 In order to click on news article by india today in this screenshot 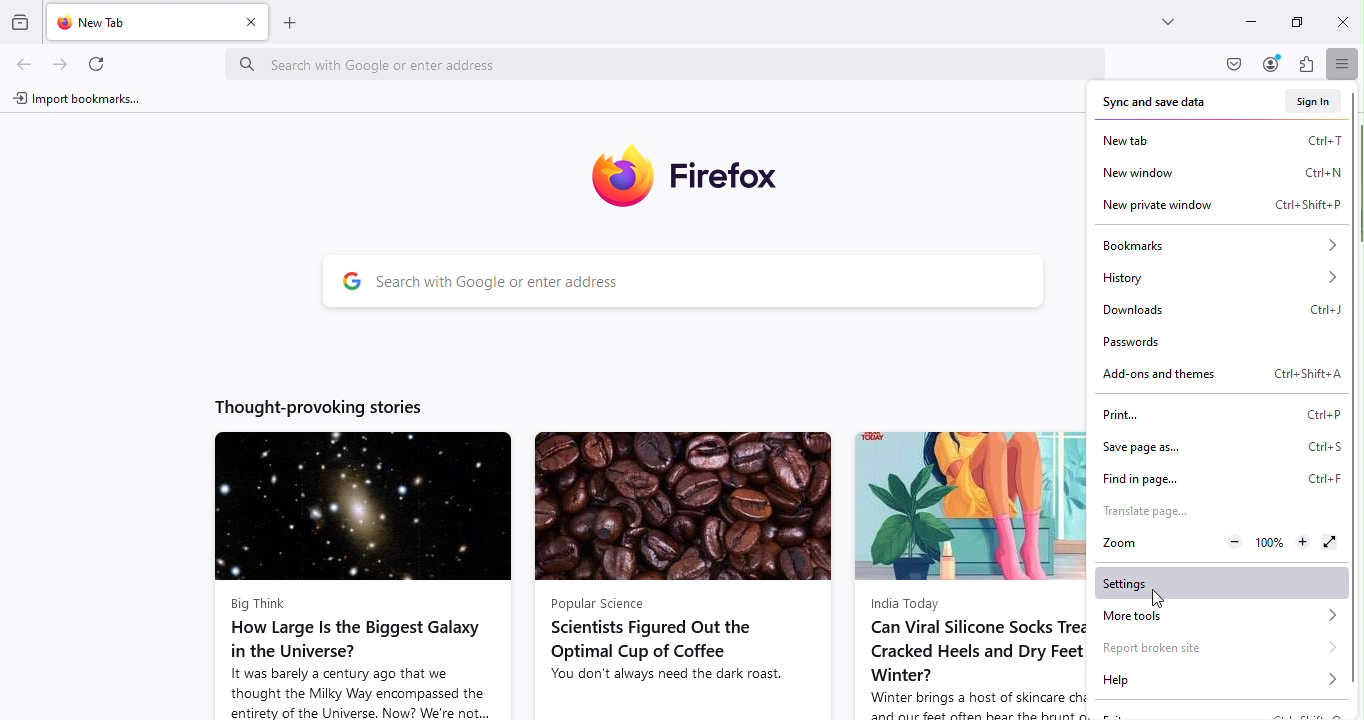, I will do `click(968, 574)`.